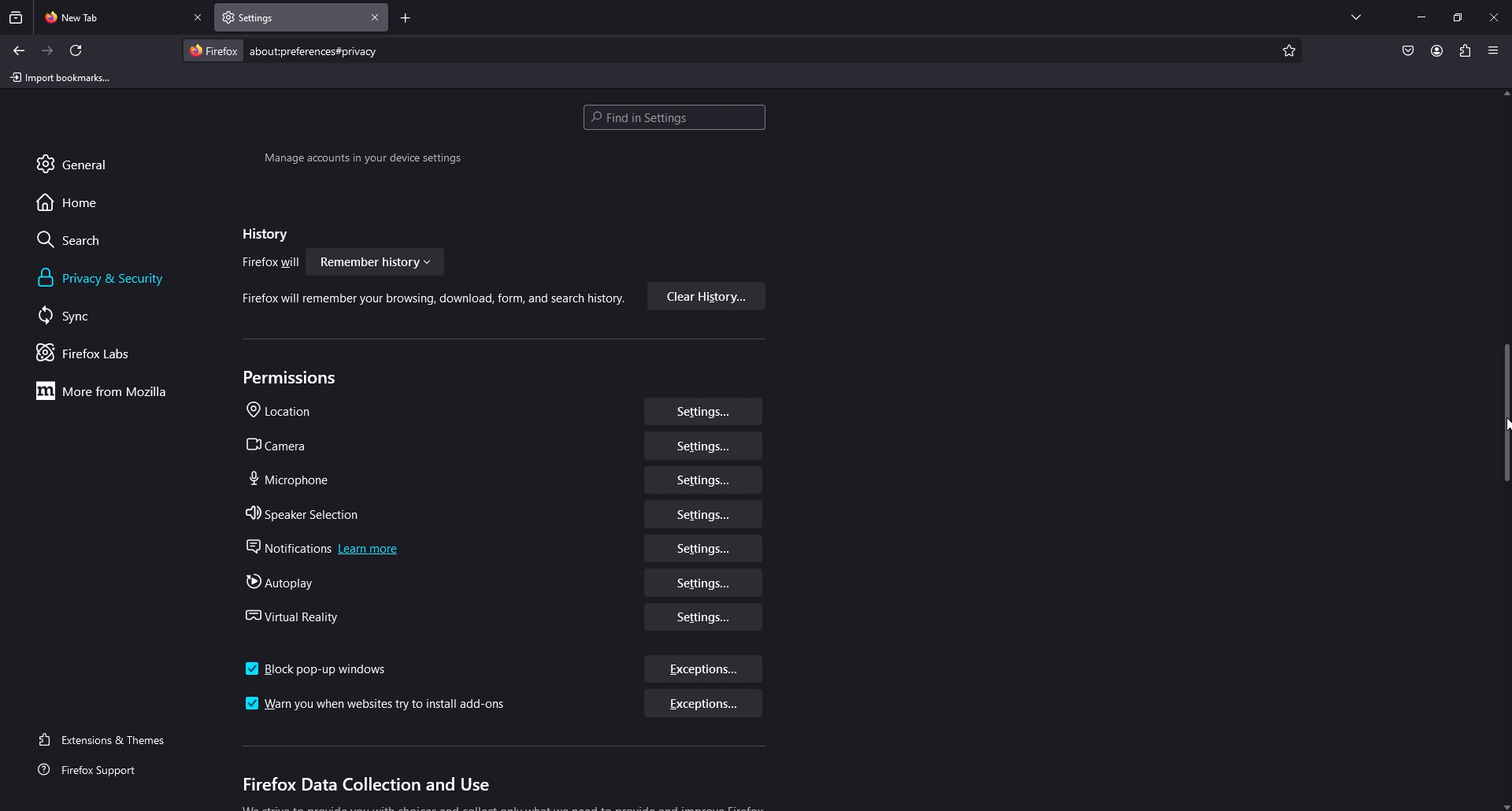 This screenshot has height=811, width=1512. Describe the element at coordinates (425, 302) in the screenshot. I see `Firefox will remember your browsing, download, form, and search history.` at that location.